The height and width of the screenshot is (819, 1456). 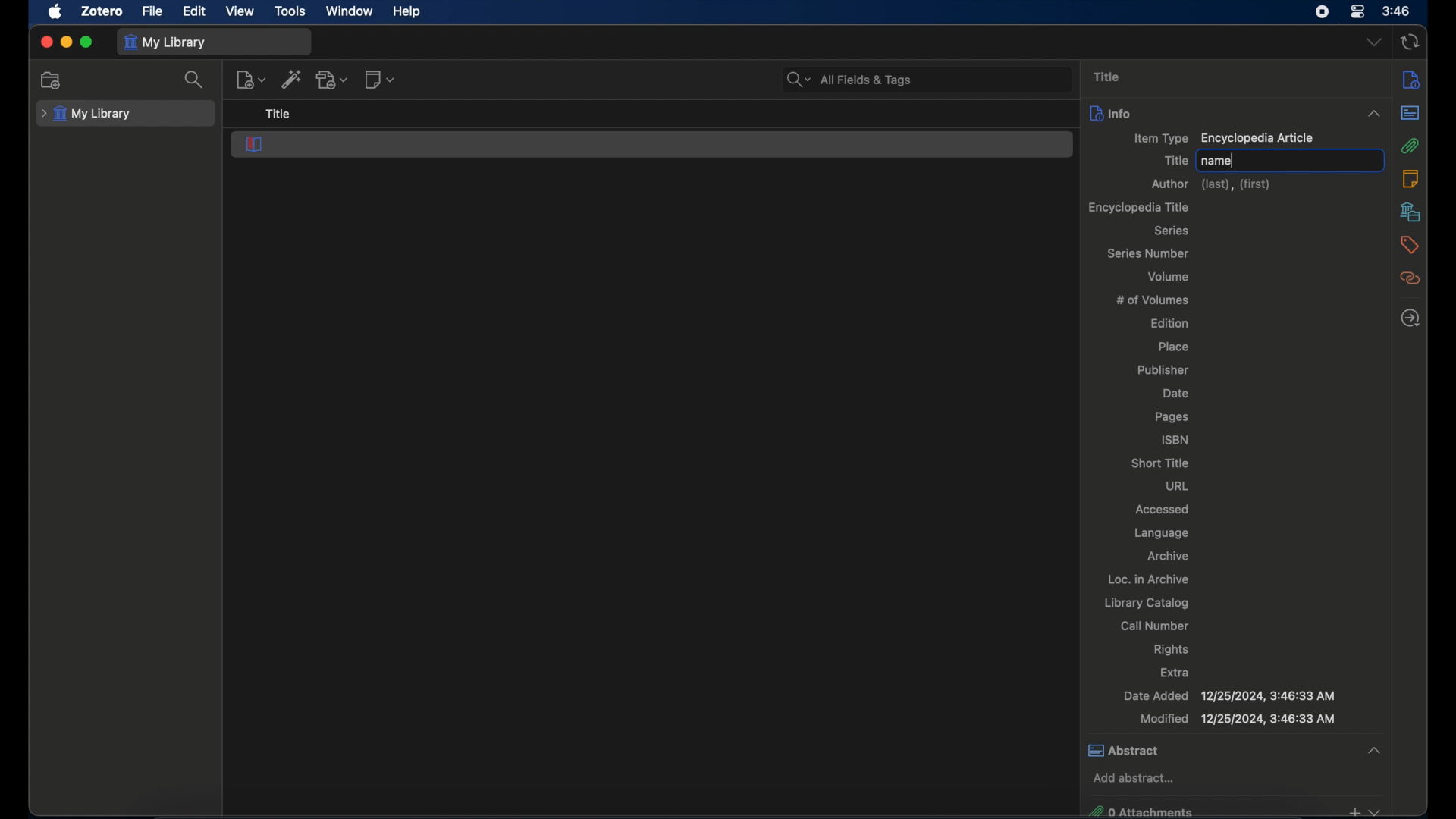 I want to click on pages, so click(x=1173, y=417).